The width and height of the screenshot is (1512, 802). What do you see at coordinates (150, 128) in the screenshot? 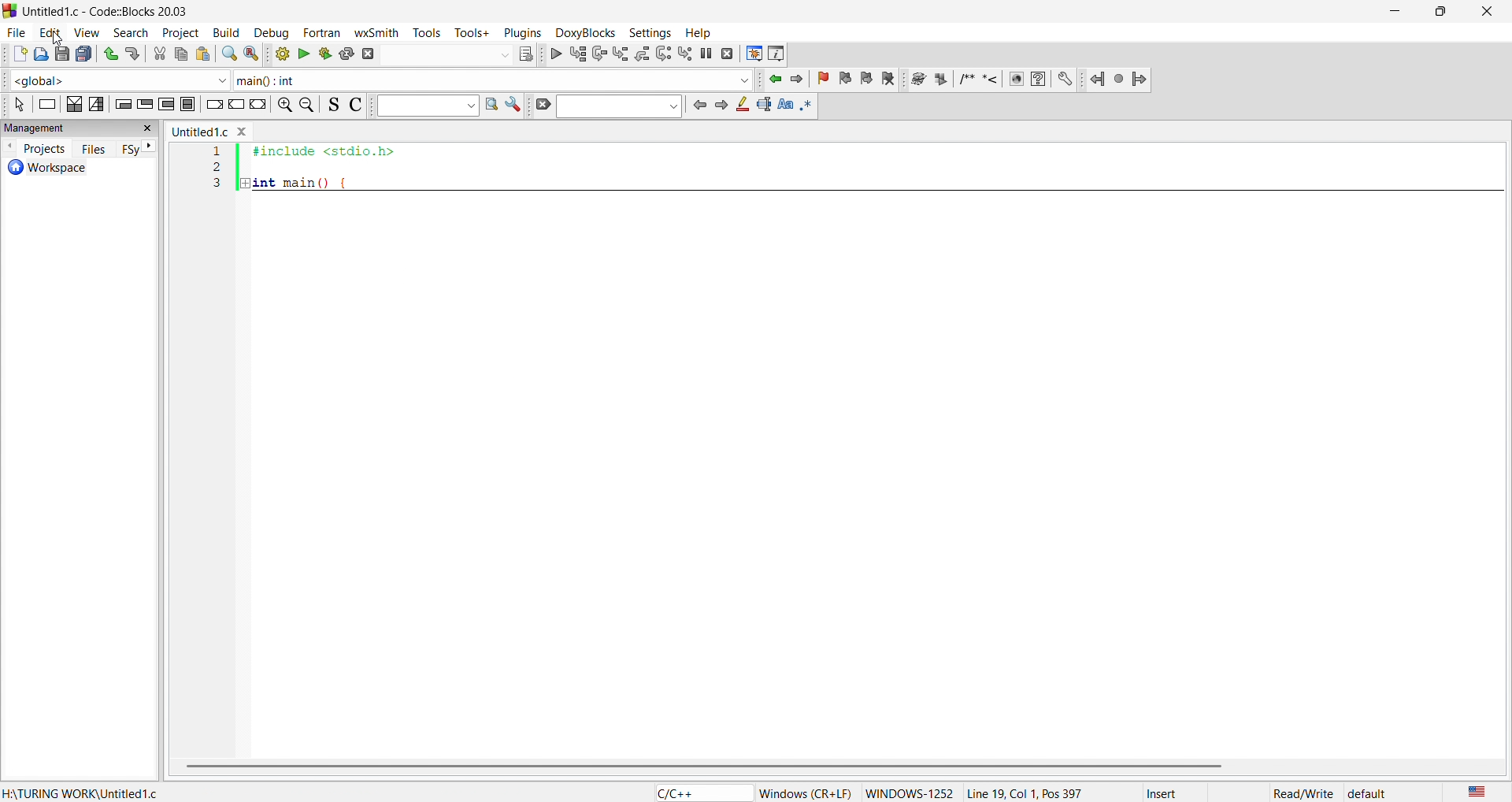
I see `close` at bounding box center [150, 128].